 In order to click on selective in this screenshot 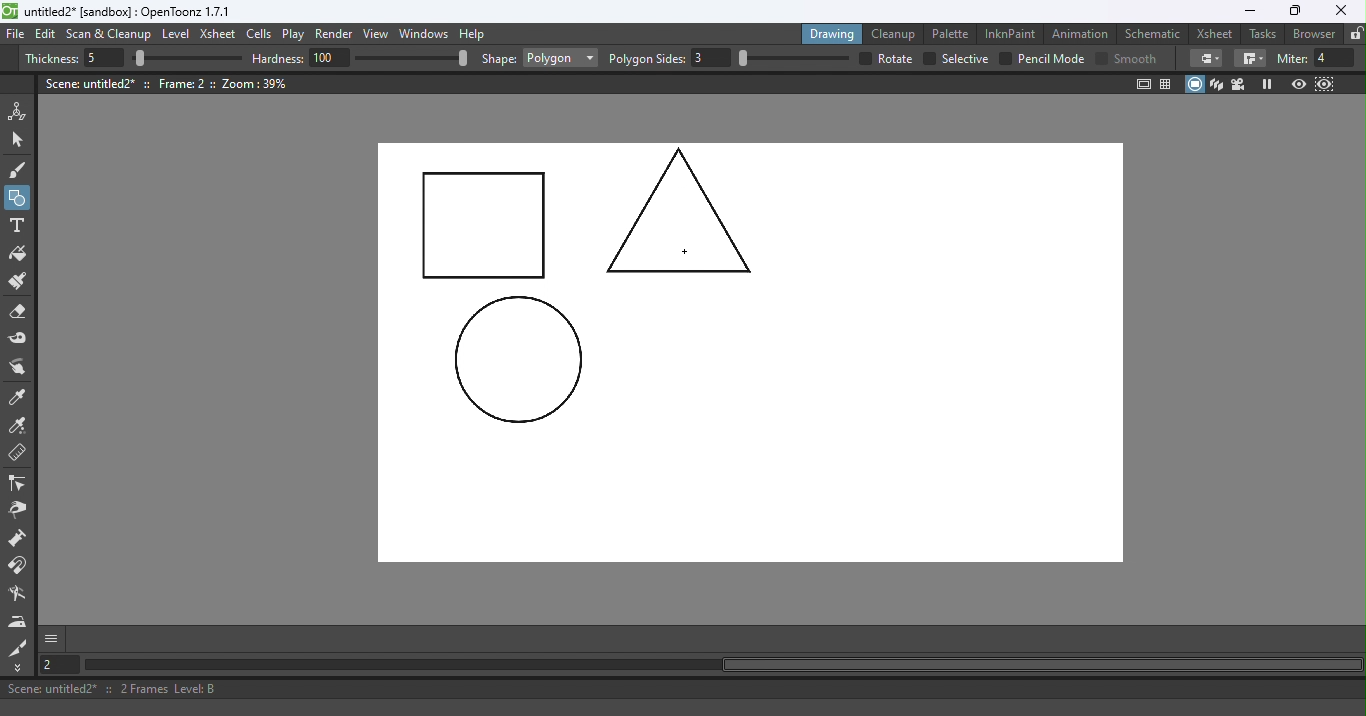, I will do `click(965, 59)`.